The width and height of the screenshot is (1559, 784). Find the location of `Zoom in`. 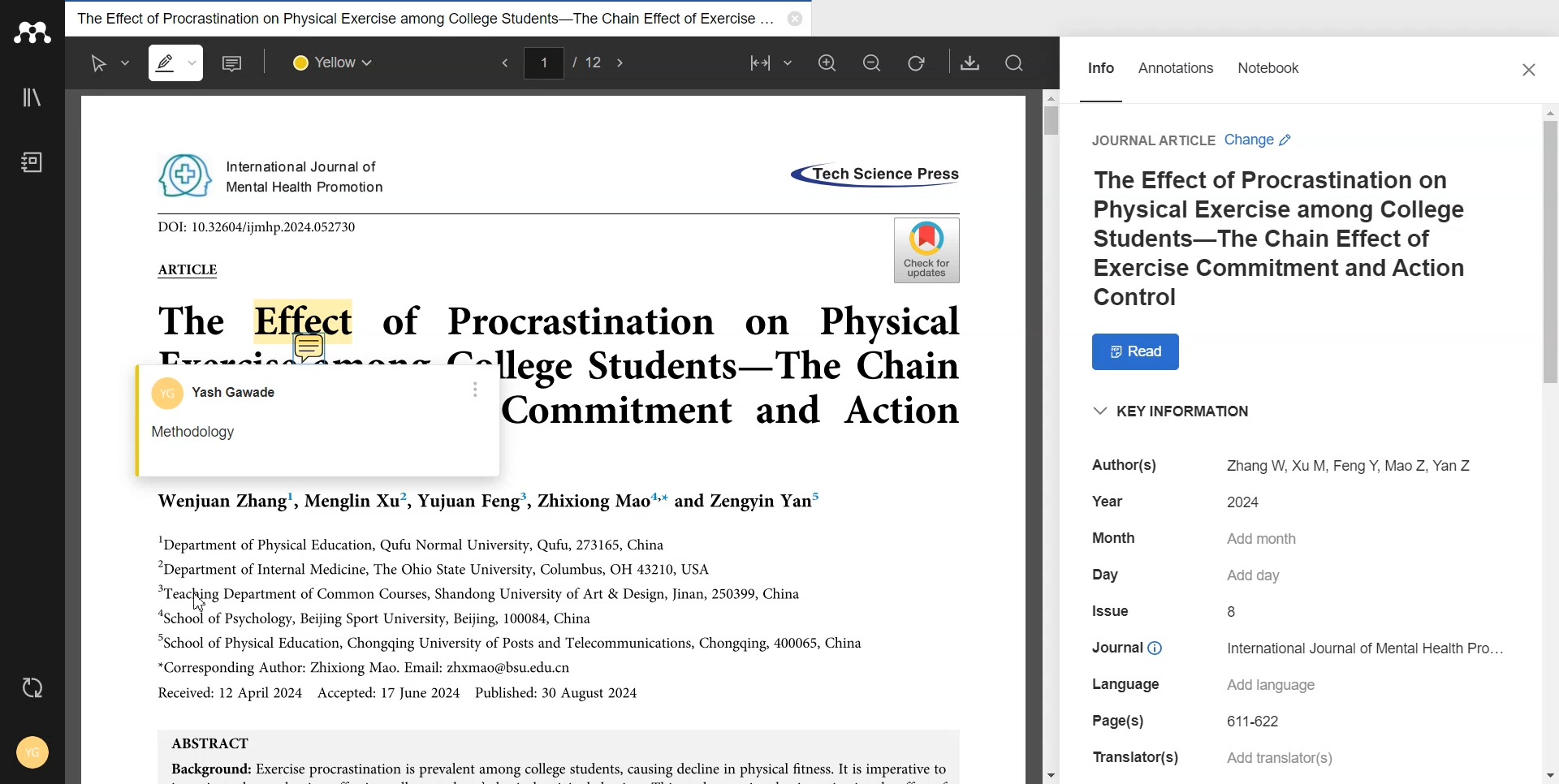

Zoom in is located at coordinates (827, 62).